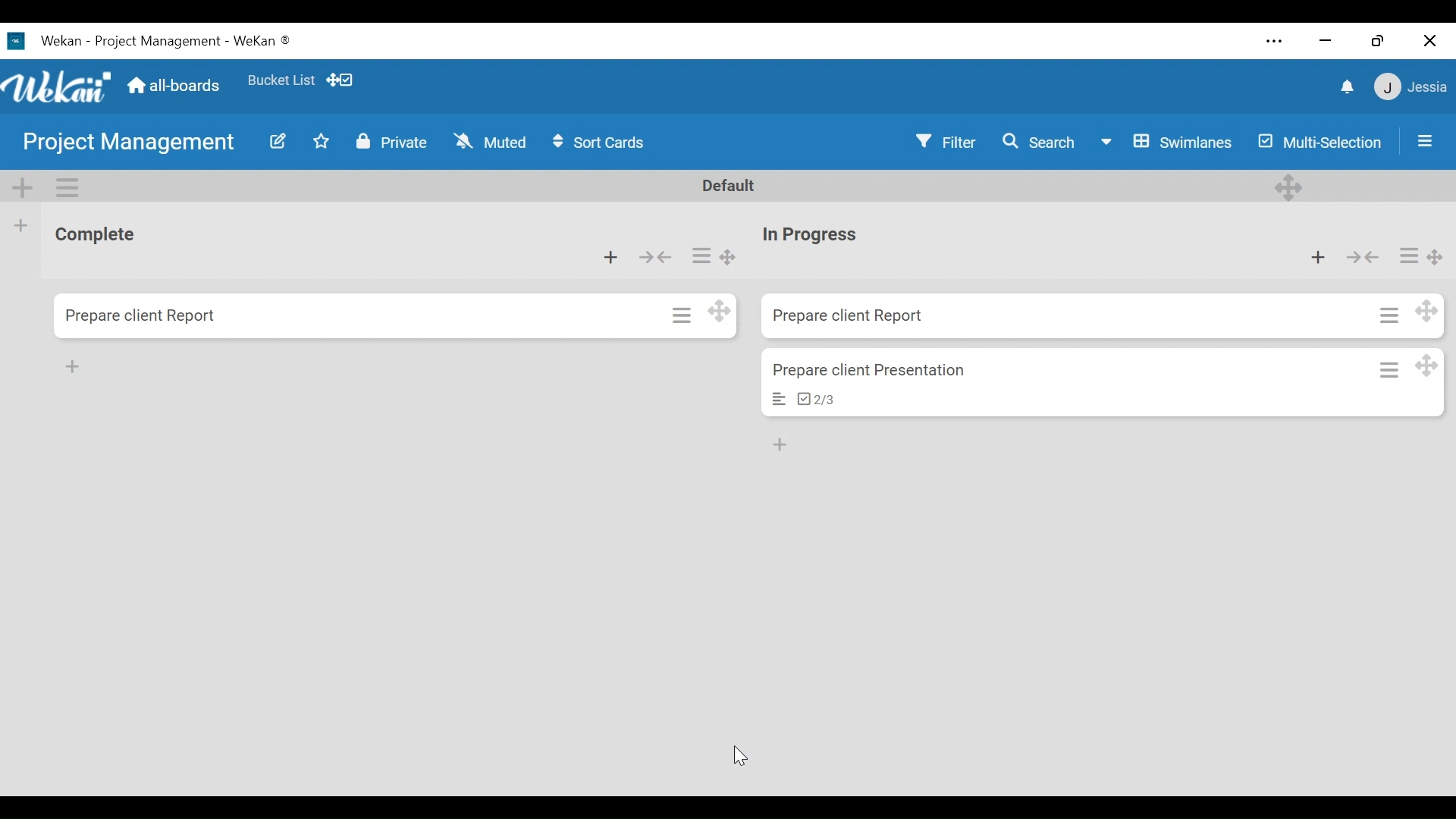  I want to click on Desktop drag handle, so click(1425, 365).